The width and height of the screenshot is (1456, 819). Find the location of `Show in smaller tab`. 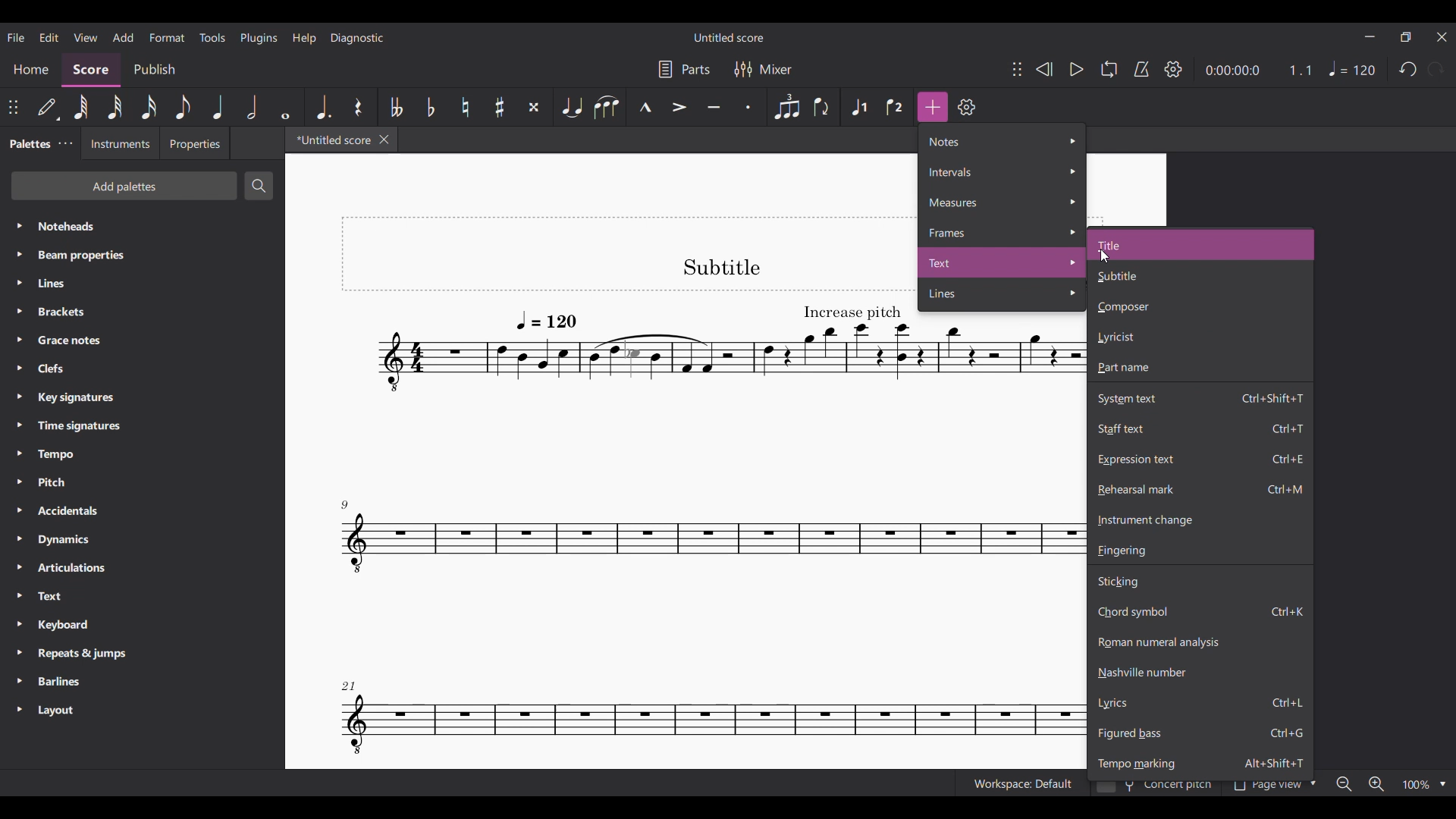

Show in smaller tab is located at coordinates (1406, 37).